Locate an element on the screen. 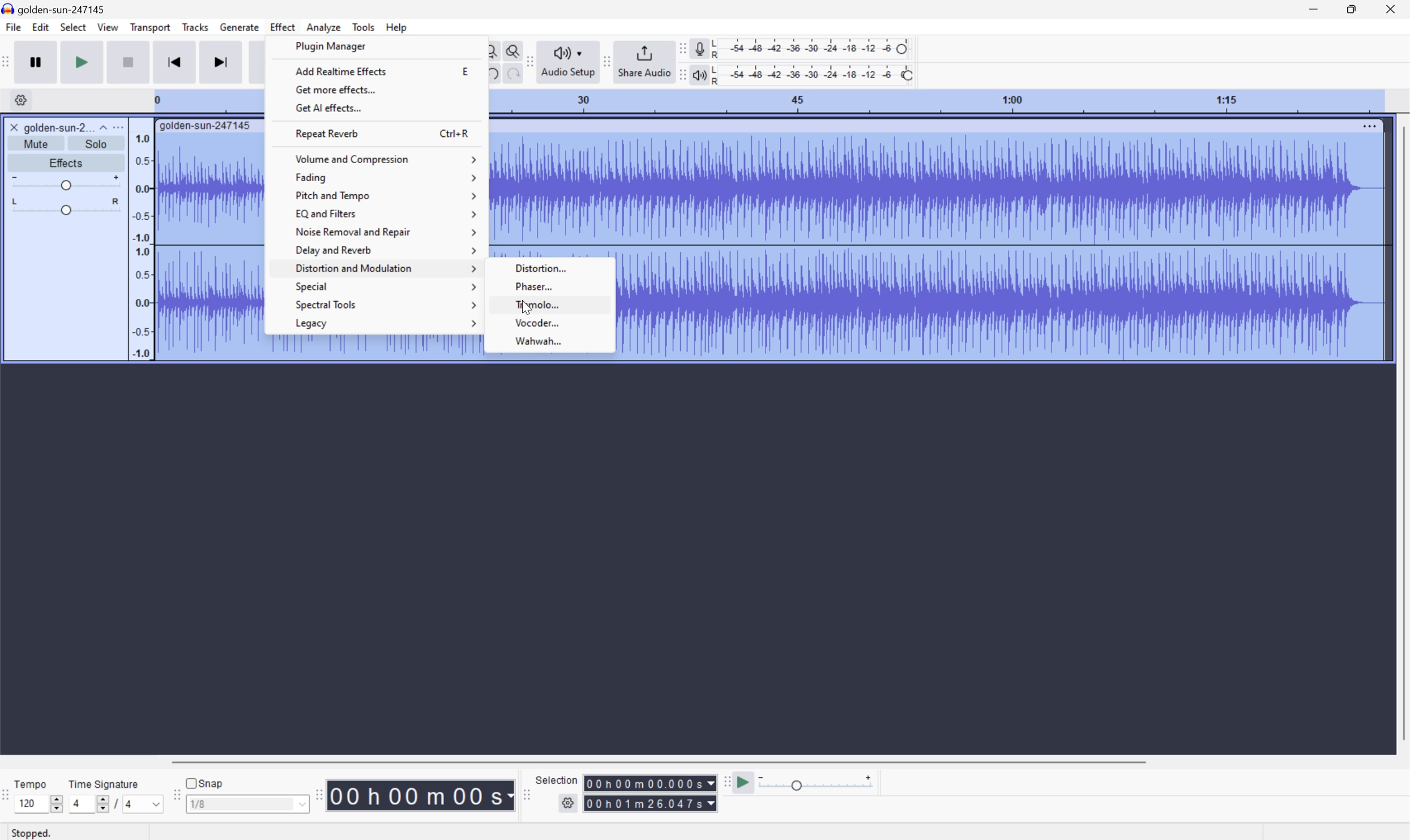  Skip to end is located at coordinates (220, 63).